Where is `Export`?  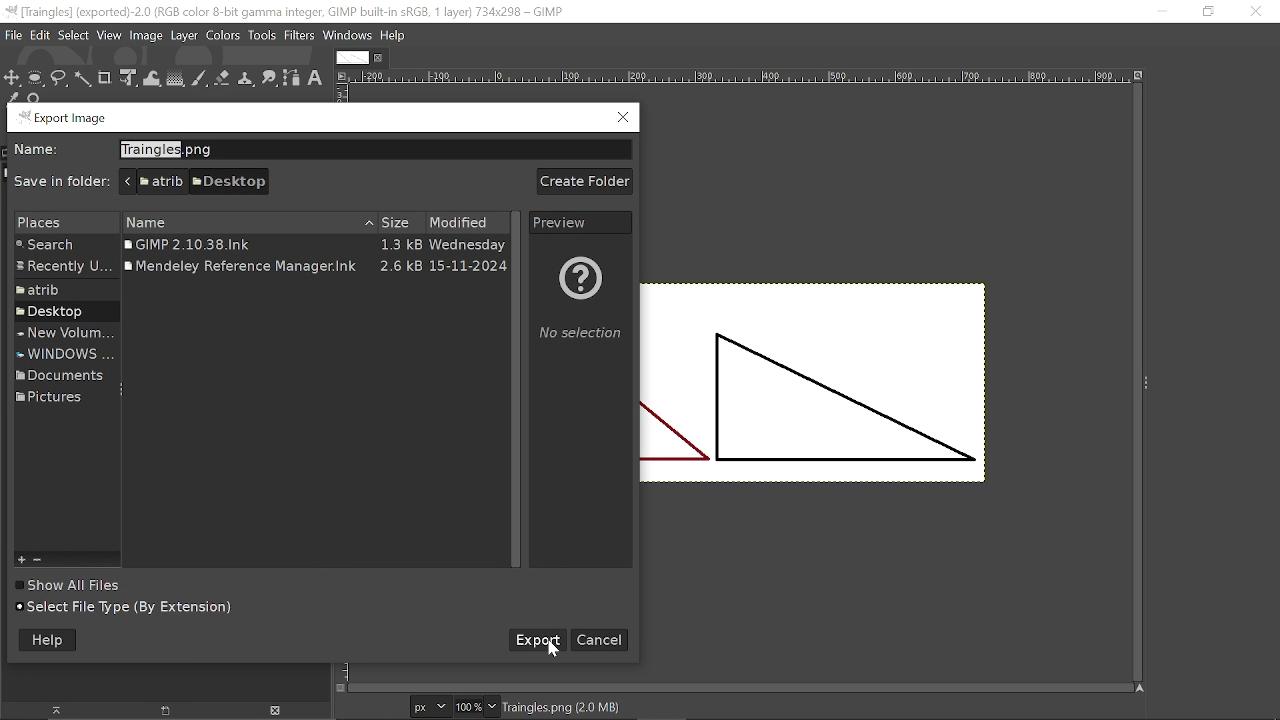
Export is located at coordinates (532, 642).